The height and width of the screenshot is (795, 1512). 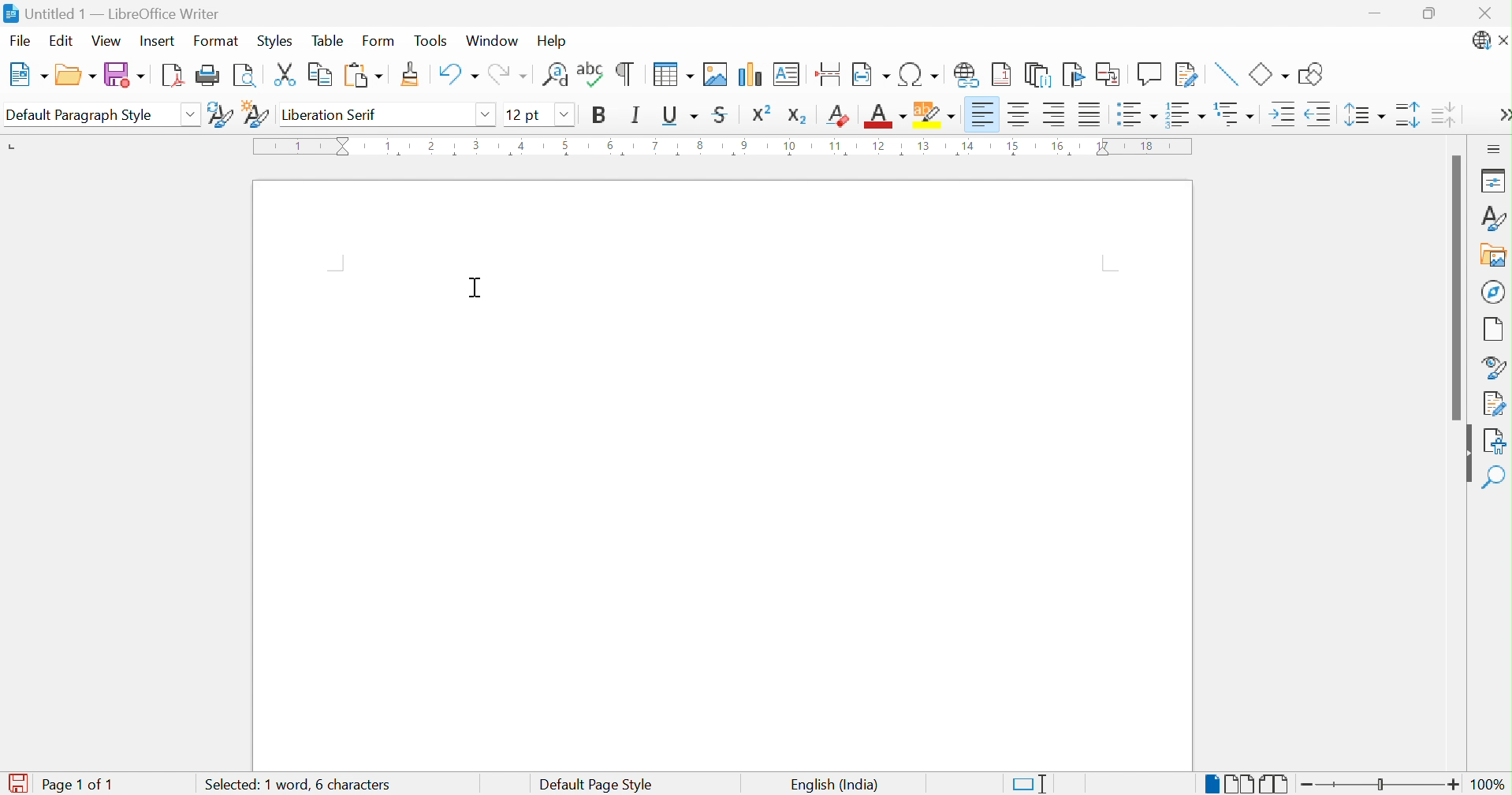 What do you see at coordinates (1464, 456) in the screenshot?
I see `Hide` at bounding box center [1464, 456].